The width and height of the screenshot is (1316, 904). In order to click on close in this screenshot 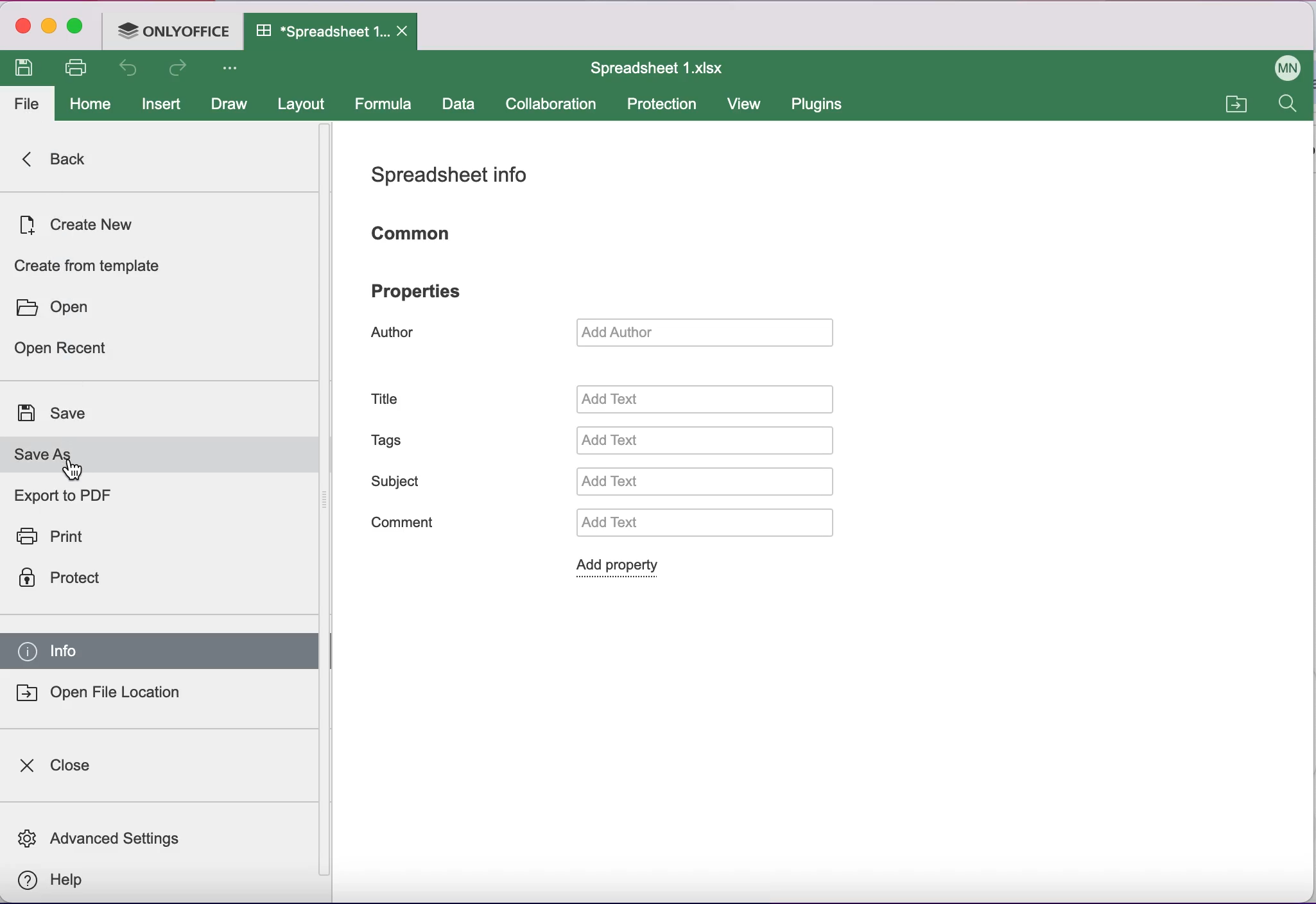, I will do `click(60, 767)`.